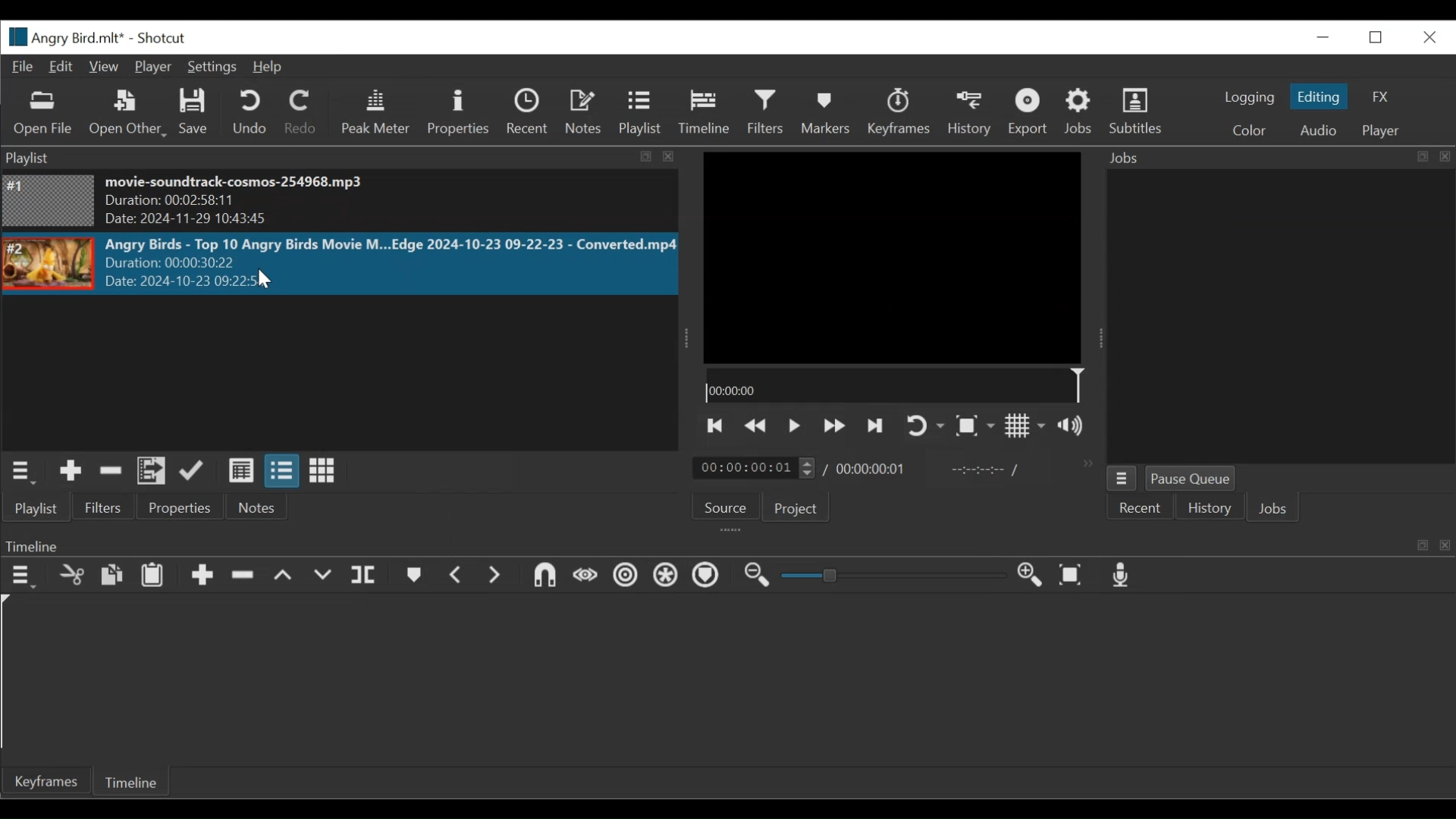  I want to click on History, so click(1209, 508).